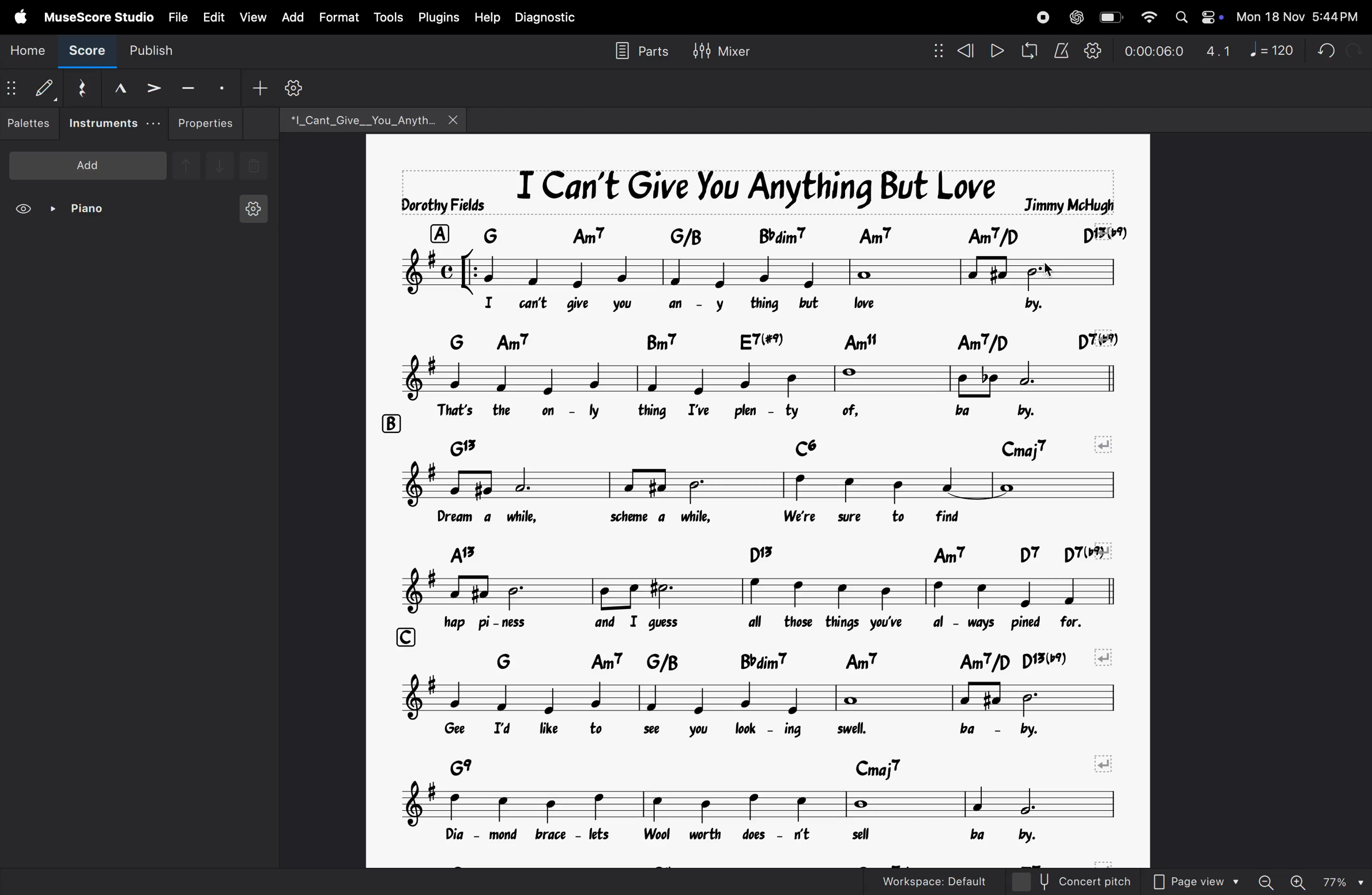 The image size is (1372, 895). I want to click on lyrics, so click(756, 622).